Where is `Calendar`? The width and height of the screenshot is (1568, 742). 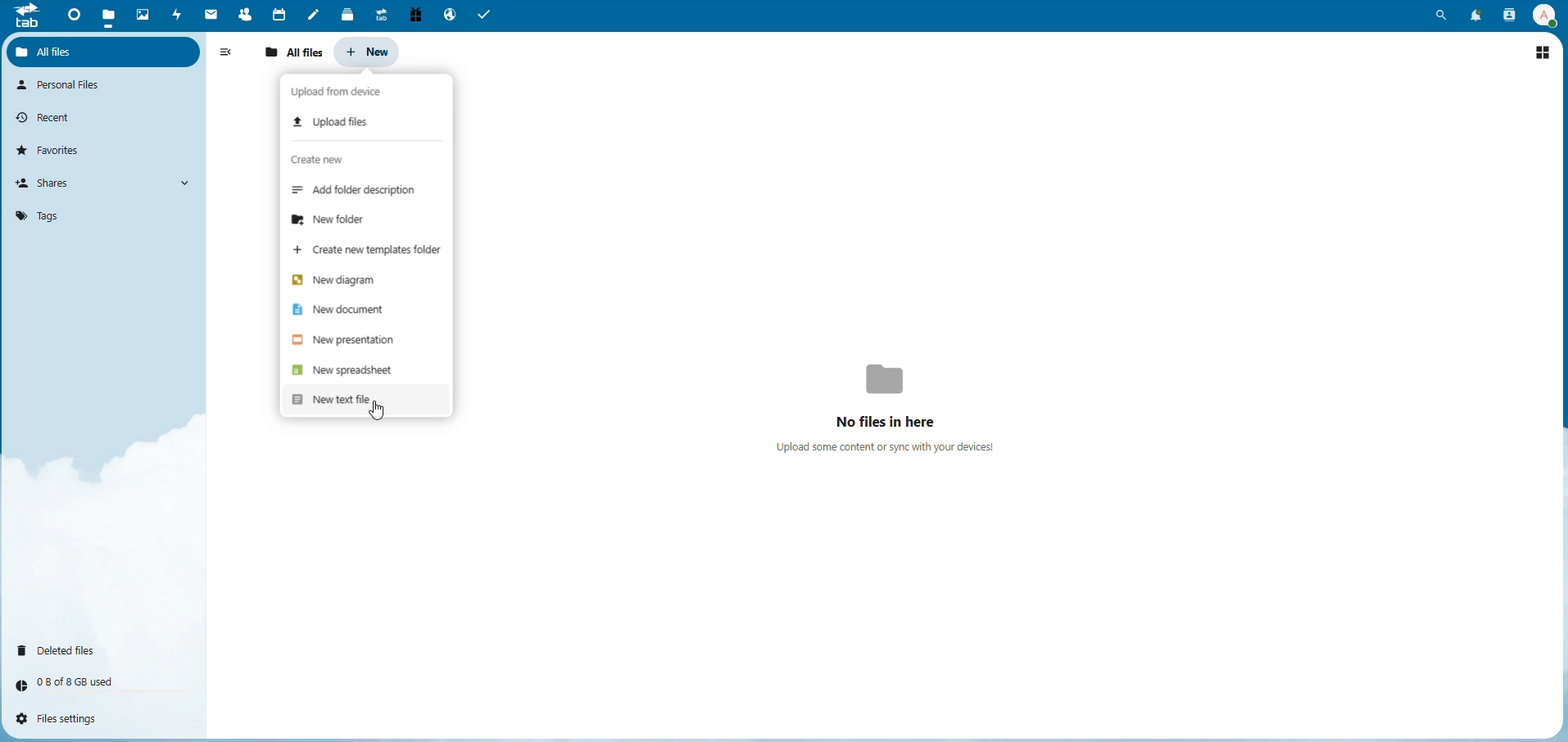 Calendar is located at coordinates (278, 13).